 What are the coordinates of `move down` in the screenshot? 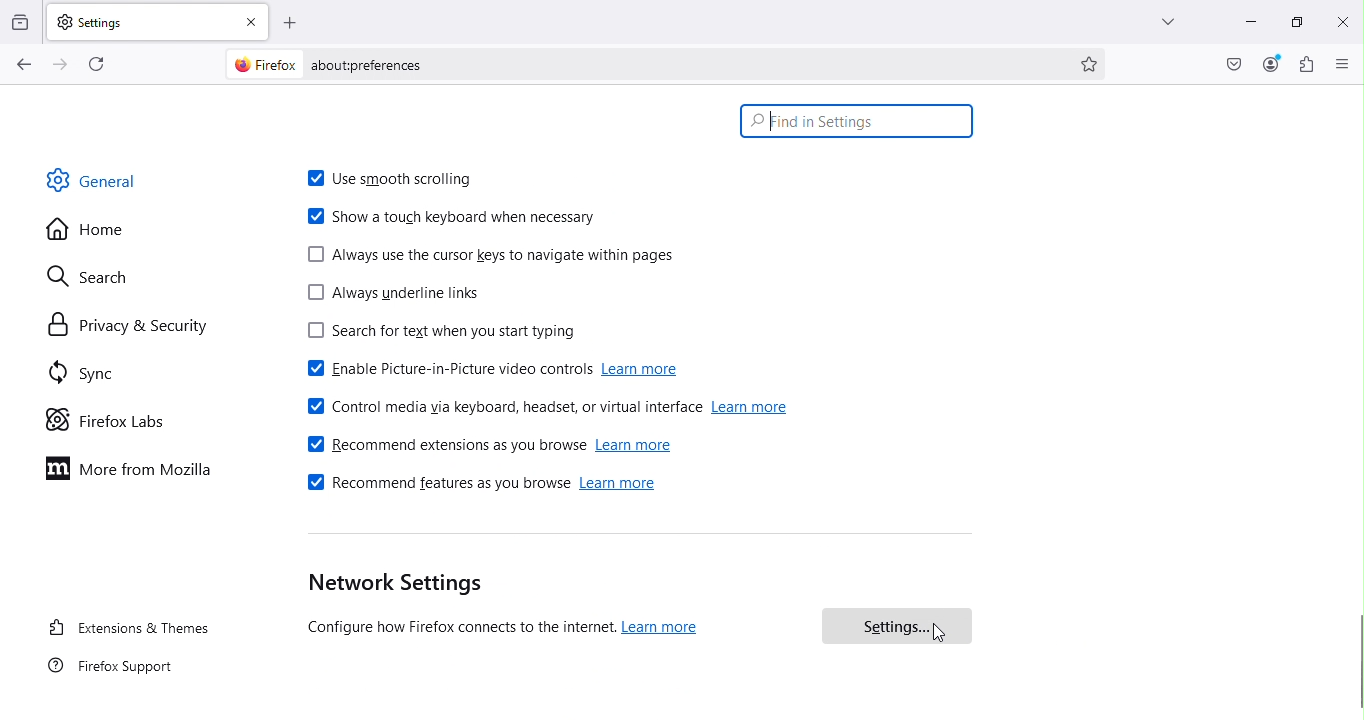 It's located at (1355, 715).